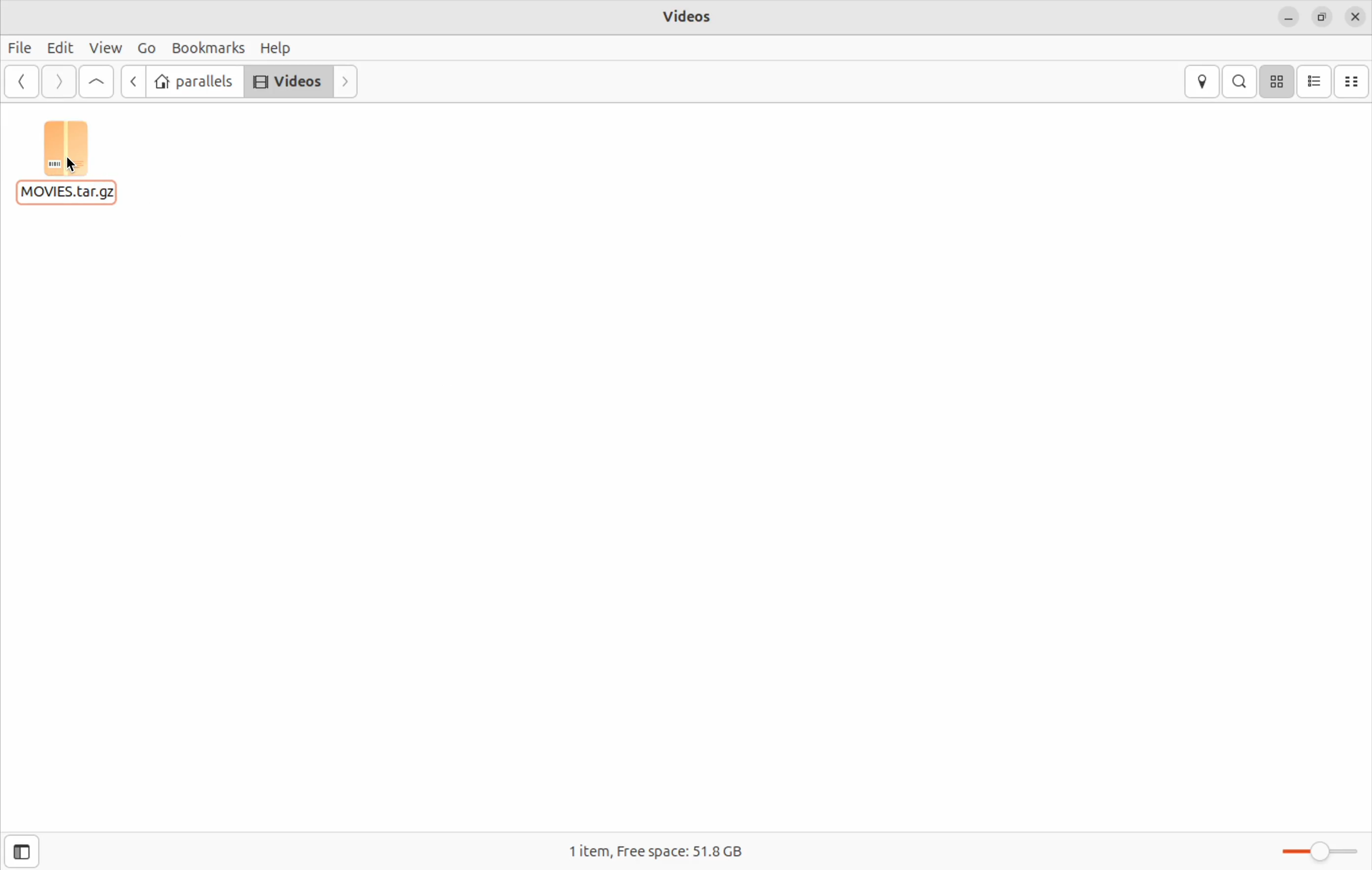 The height and width of the screenshot is (870, 1372). What do you see at coordinates (104, 48) in the screenshot?
I see `view` at bounding box center [104, 48].